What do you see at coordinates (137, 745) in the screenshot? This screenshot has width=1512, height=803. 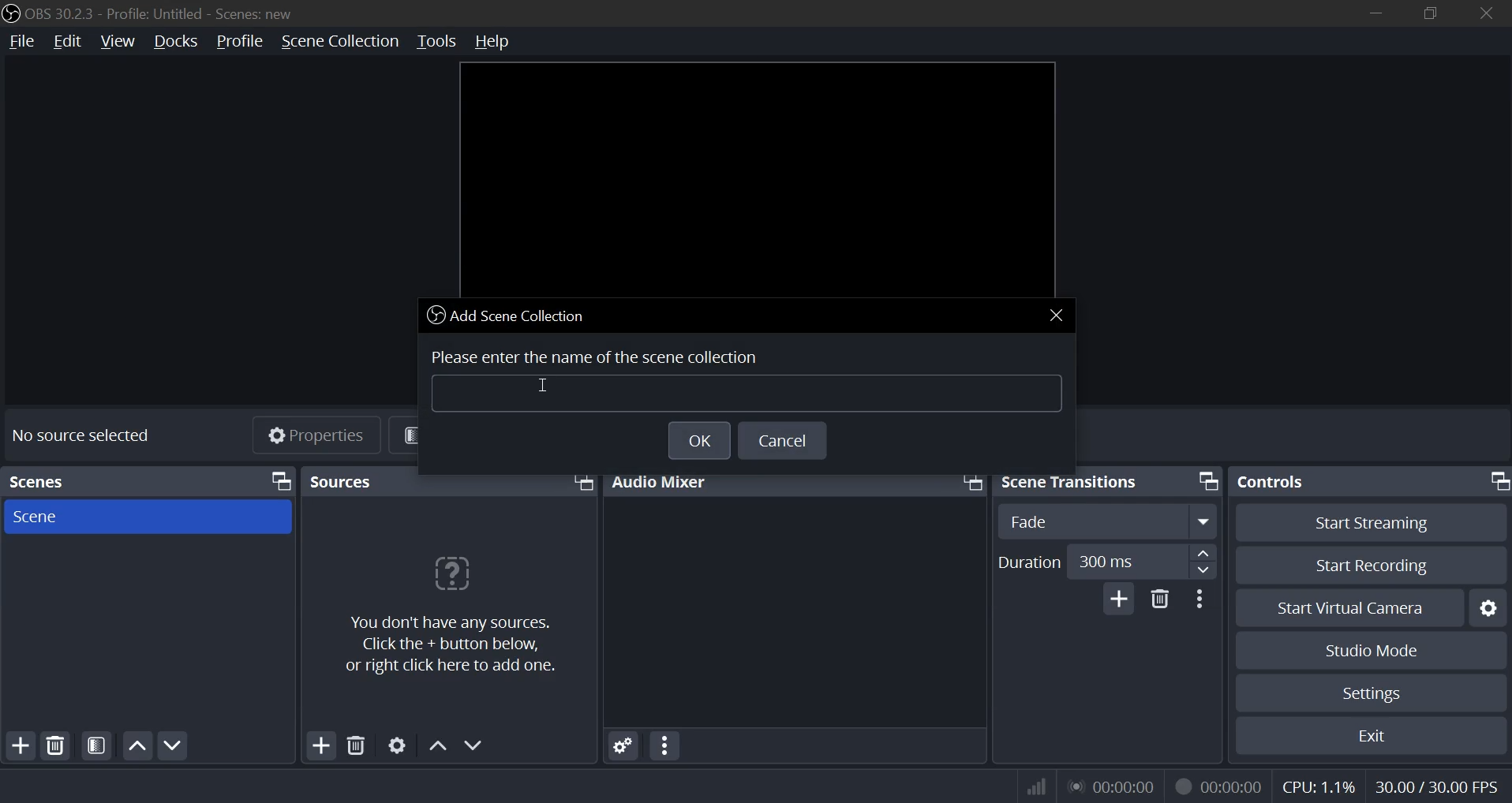 I see `move up scene` at bounding box center [137, 745].